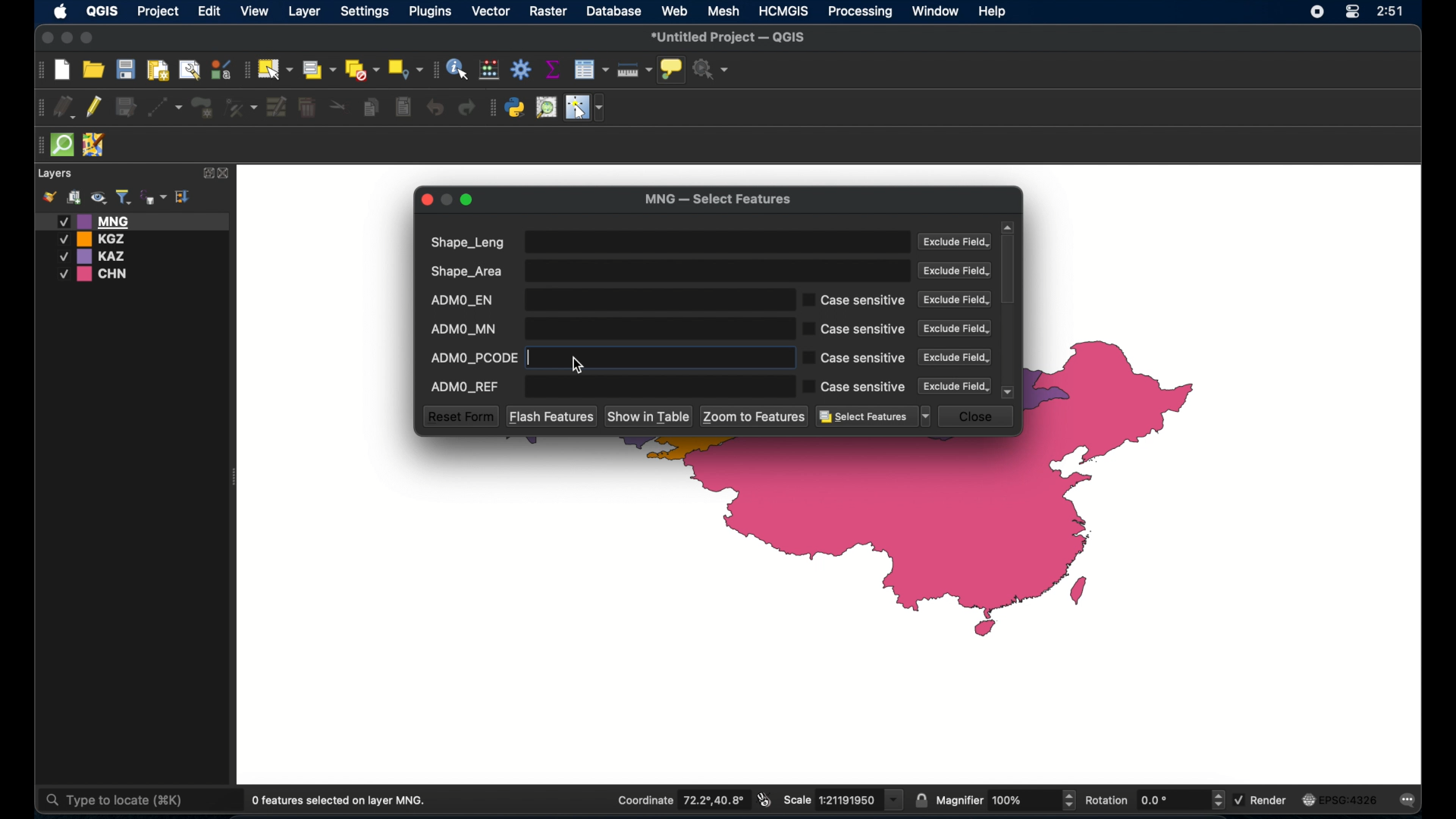 This screenshot has height=819, width=1456. What do you see at coordinates (1351, 13) in the screenshot?
I see `control center` at bounding box center [1351, 13].